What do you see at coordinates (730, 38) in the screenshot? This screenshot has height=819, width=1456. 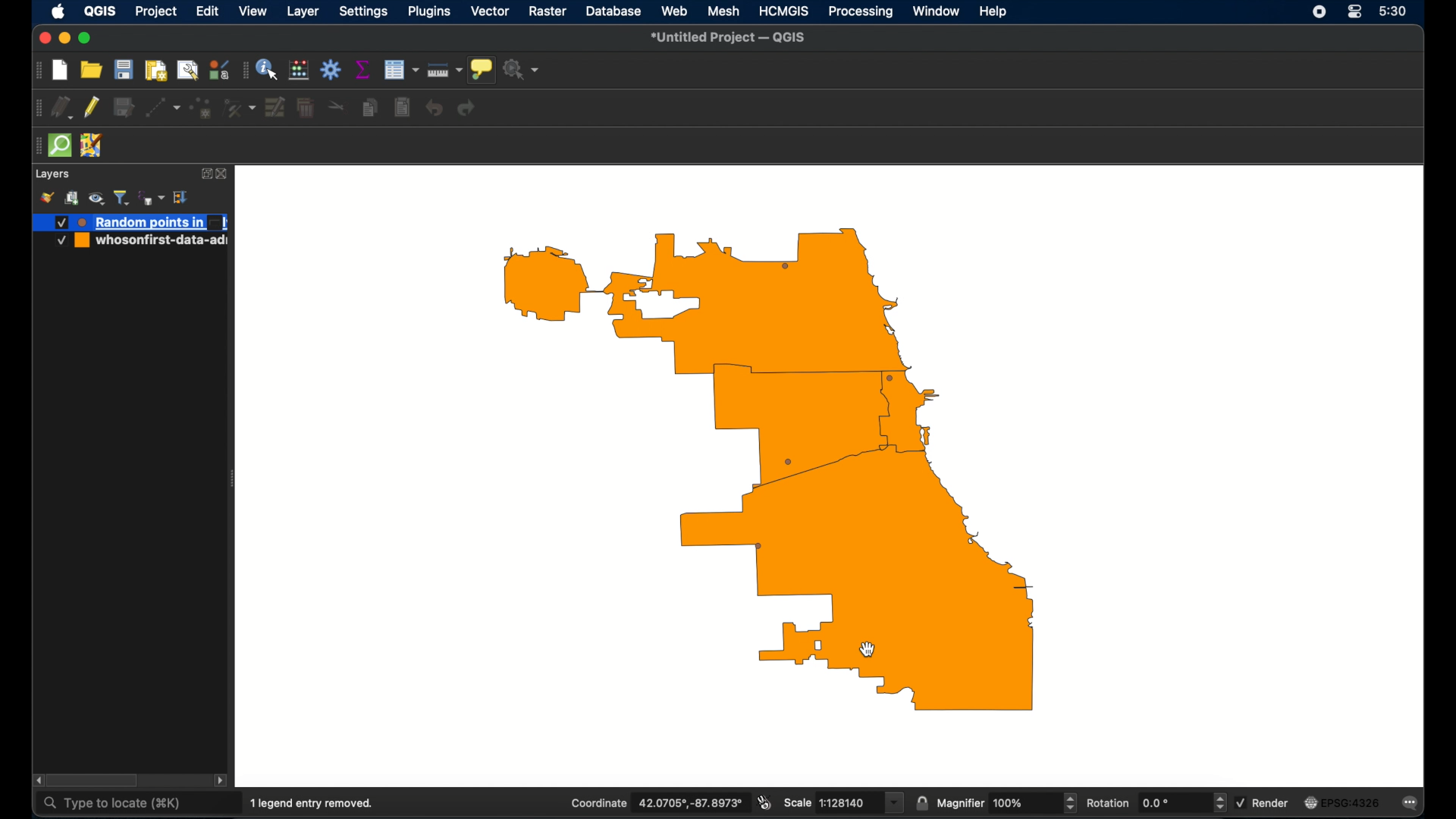 I see `untitled project` at bounding box center [730, 38].